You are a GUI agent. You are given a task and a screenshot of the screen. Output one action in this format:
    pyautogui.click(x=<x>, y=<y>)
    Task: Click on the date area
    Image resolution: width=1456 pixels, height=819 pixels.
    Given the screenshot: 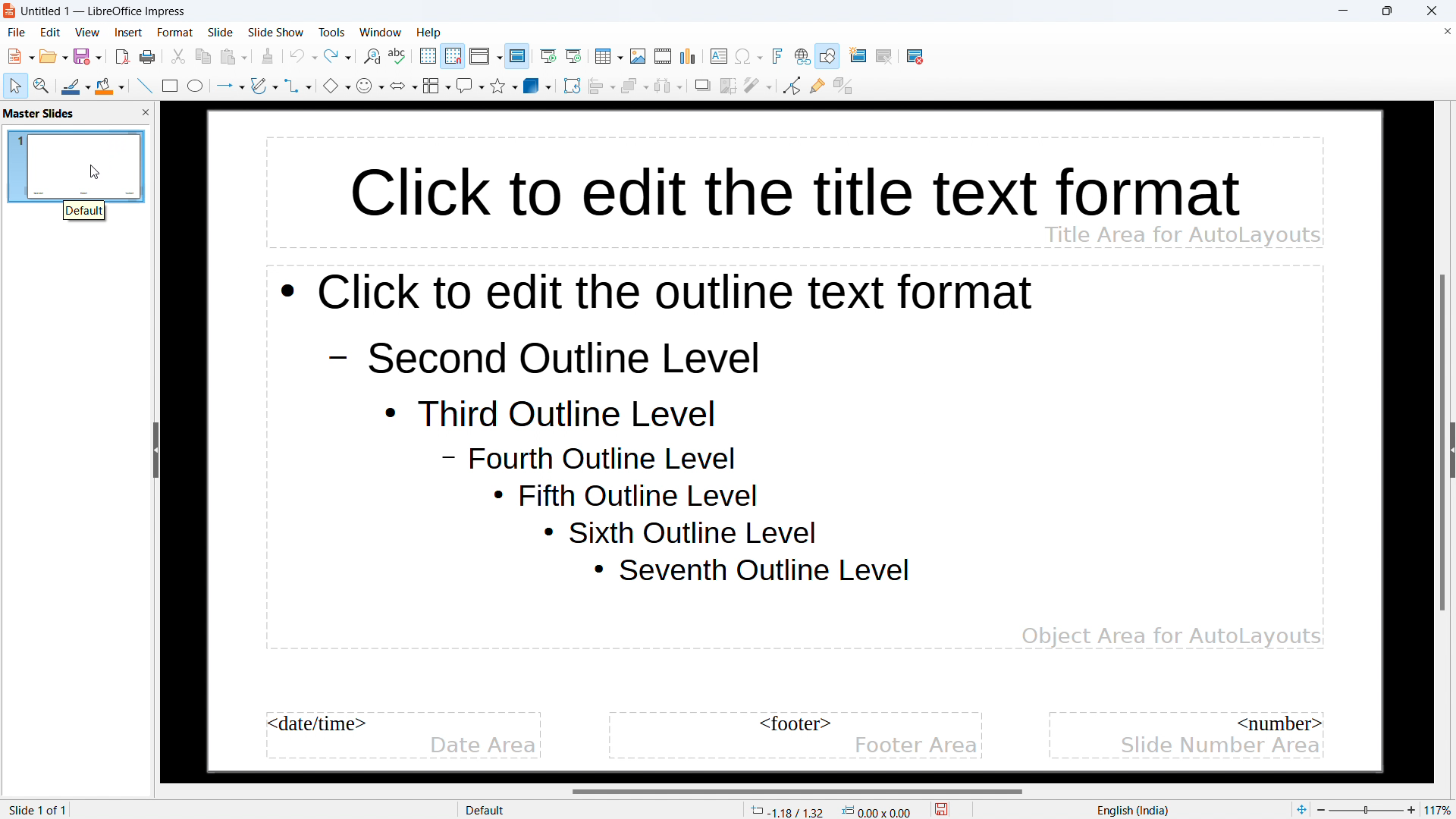 What is the action you would take?
    pyautogui.click(x=484, y=746)
    